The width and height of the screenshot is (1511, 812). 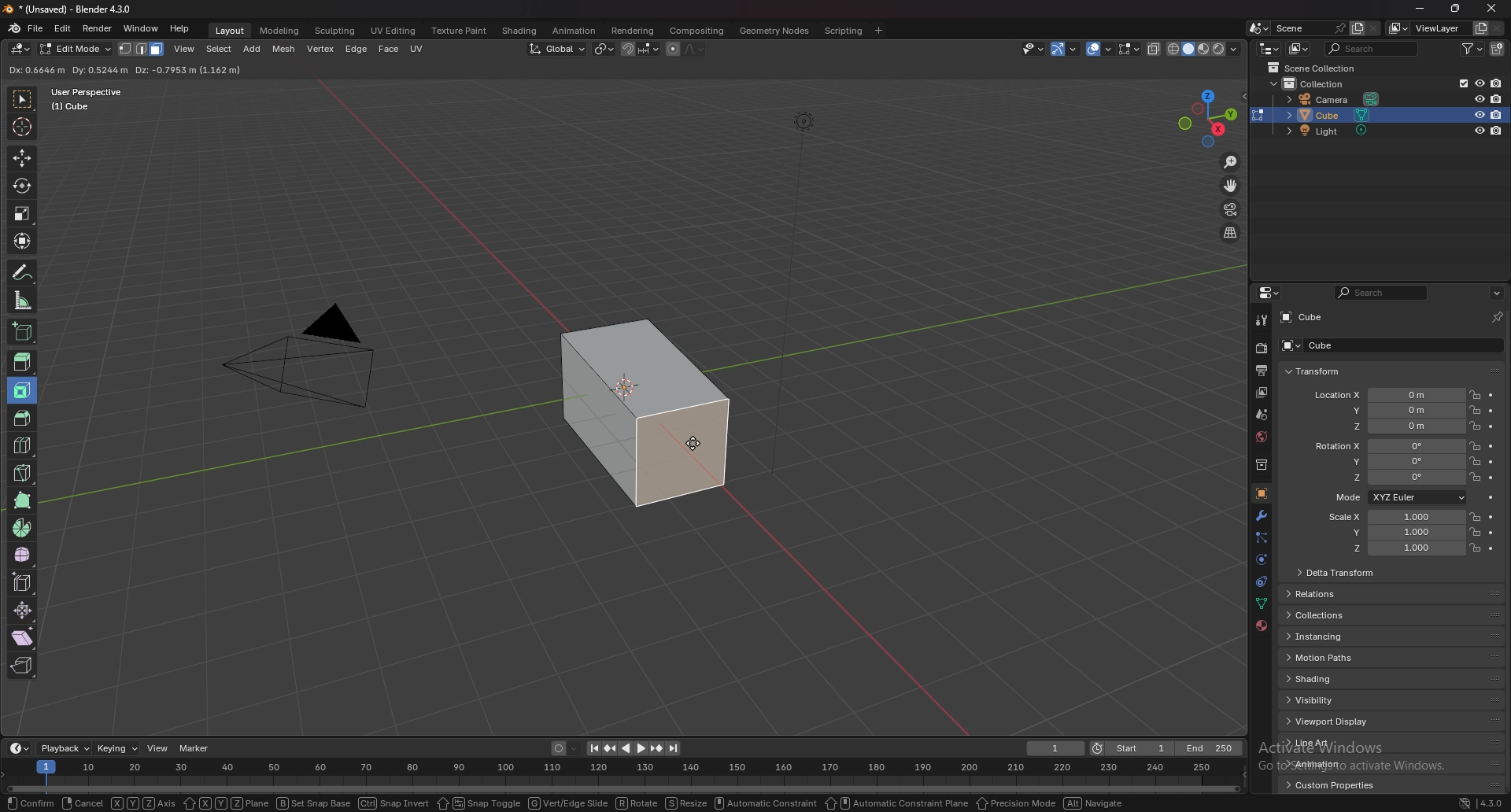 What do you see at coordinates (28, 803) in the screenshot?
I see `Confirm` at bounding box center [28, 803].